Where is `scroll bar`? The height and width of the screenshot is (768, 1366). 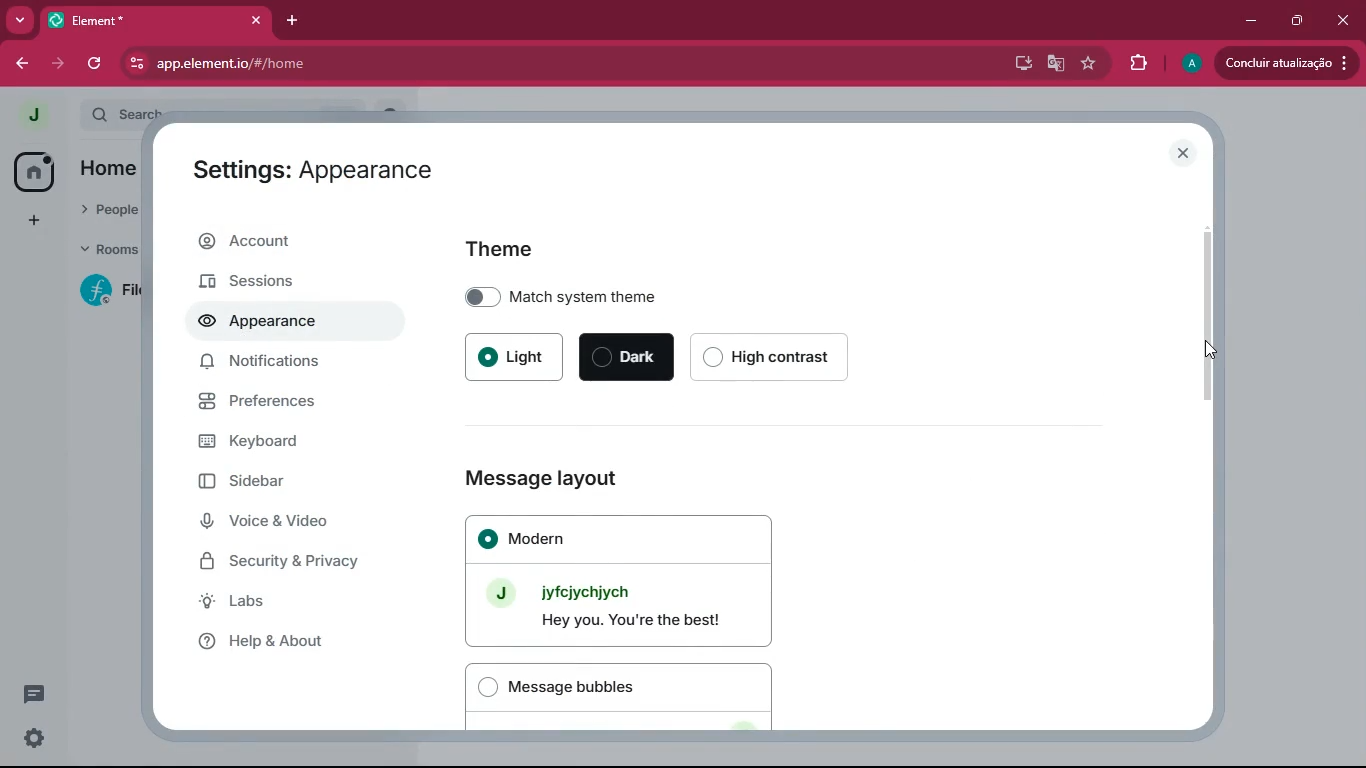
scroll bar is located at coordinates (1208, 314).